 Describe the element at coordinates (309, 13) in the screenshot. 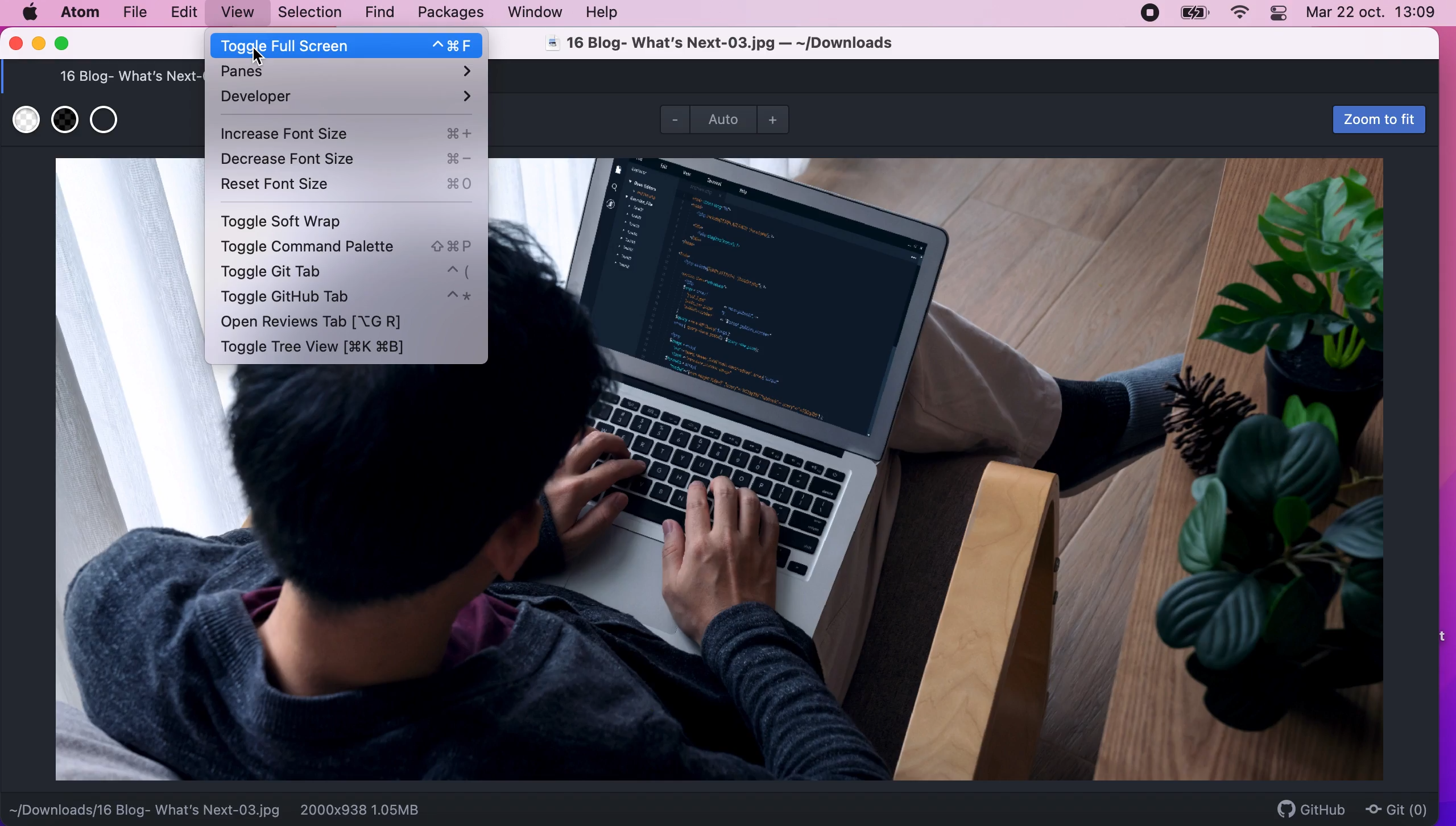

I see `selection` at that location.